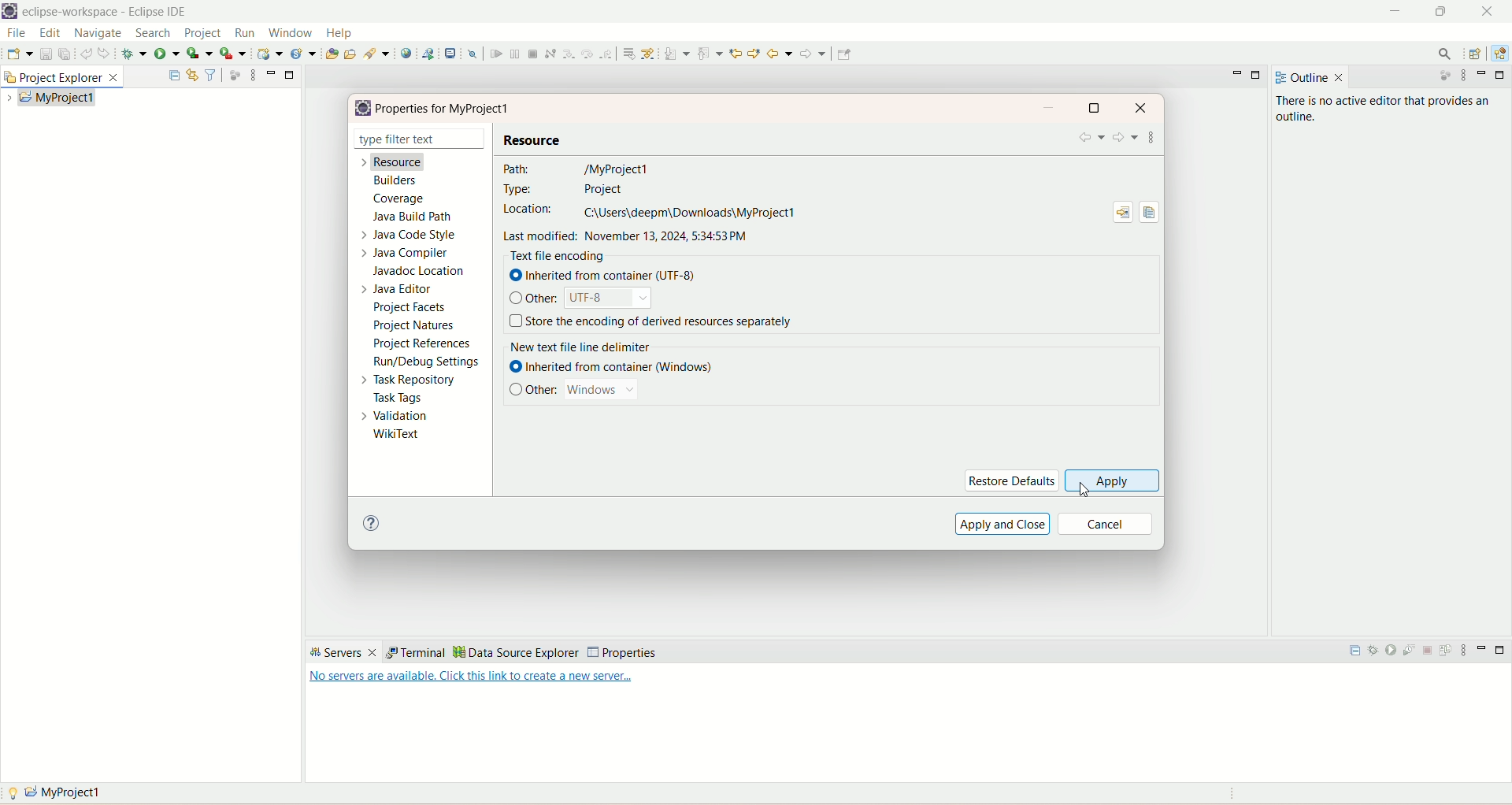 The width and height of the screenshot is (1512, 805). Describe the element at coordinates (1397, 10) in the screenshot. I see `minimize` at that location.